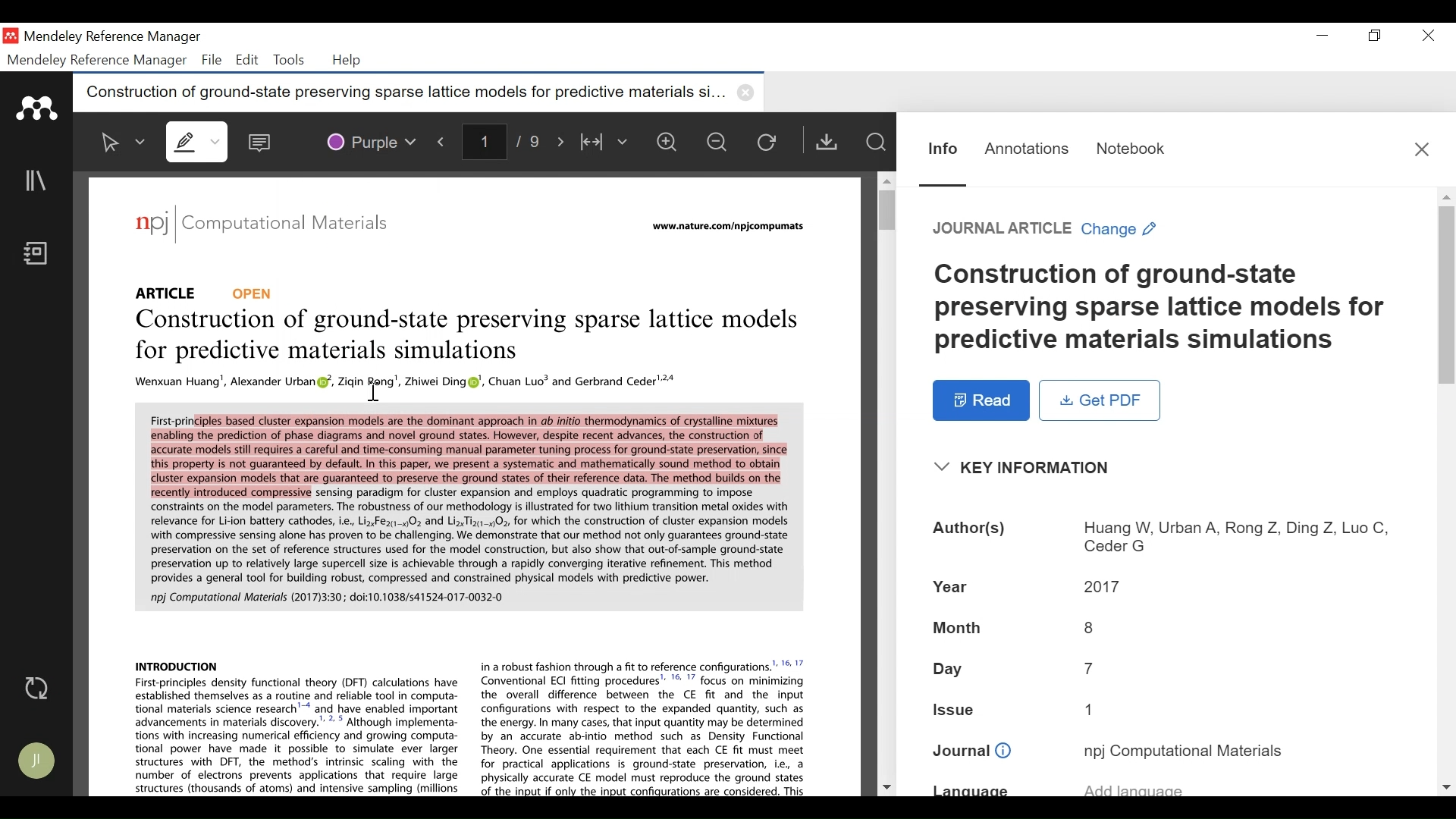 This screenshot has height=819, width=1456. Describe the element at coordinates (1247, 785) in the screenshot. I see `add language ` at that location.